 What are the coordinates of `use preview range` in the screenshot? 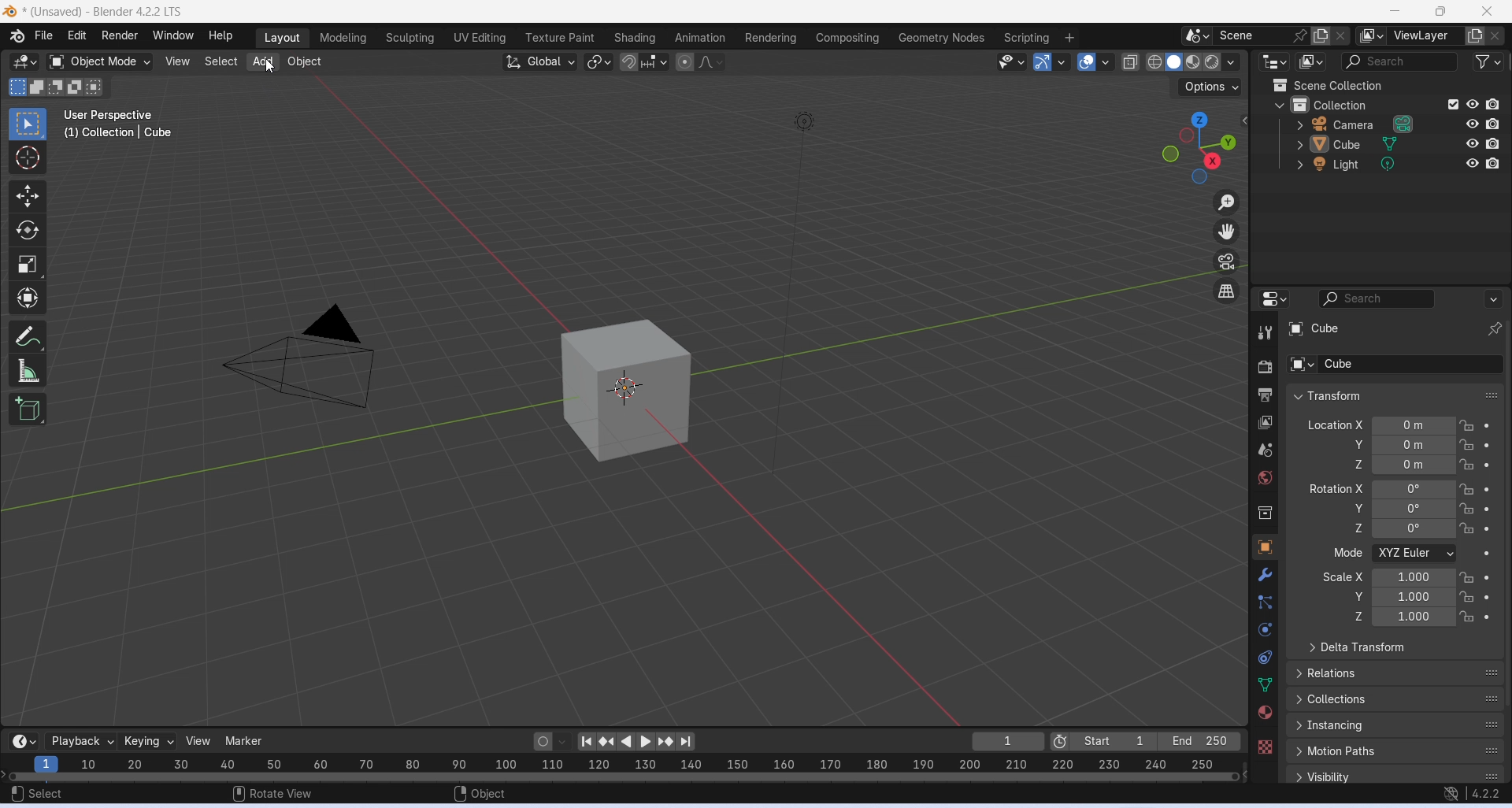 It's located at (1059, 743).